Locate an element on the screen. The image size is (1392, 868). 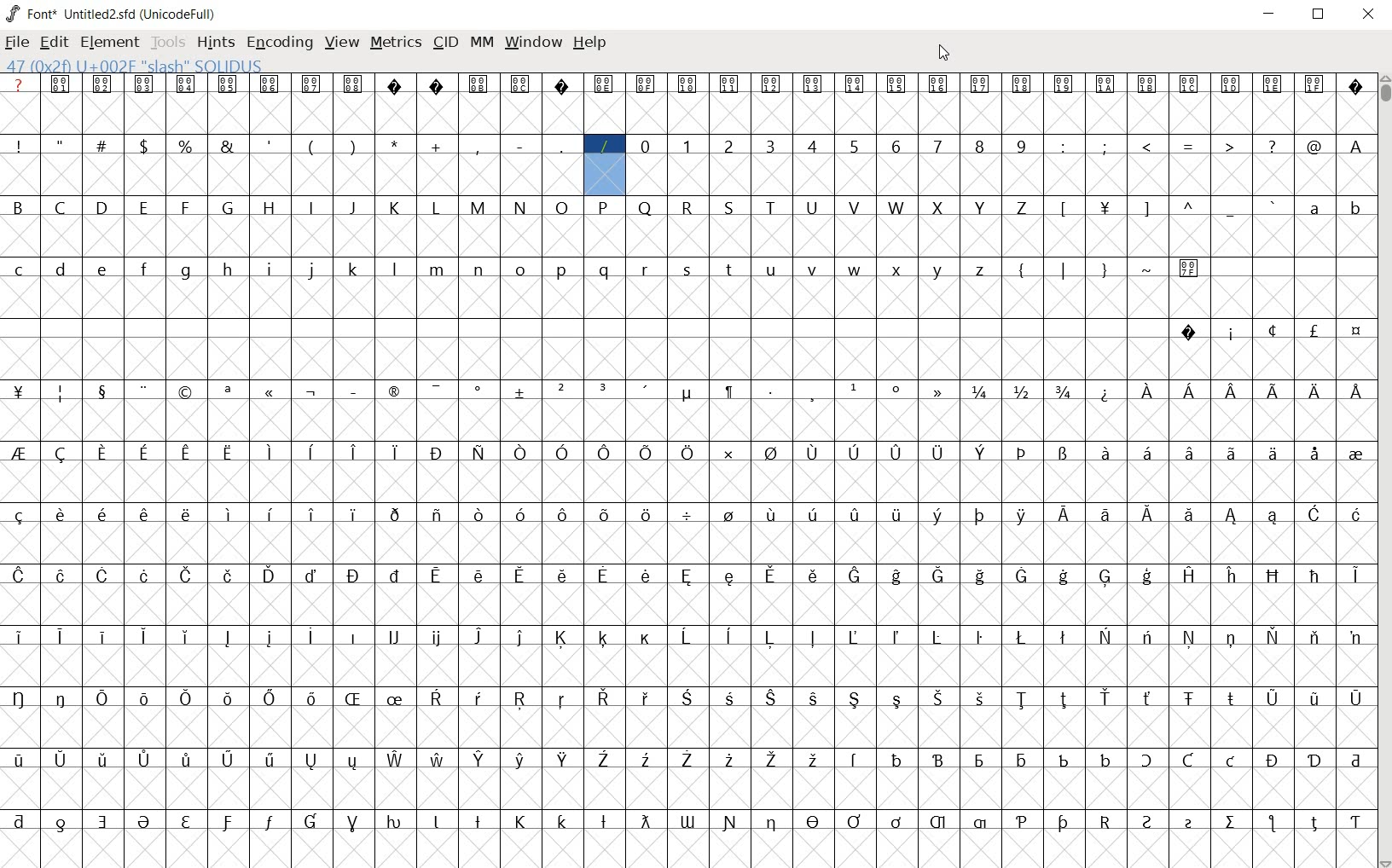
glyph is located at coordinates (1271, 823).